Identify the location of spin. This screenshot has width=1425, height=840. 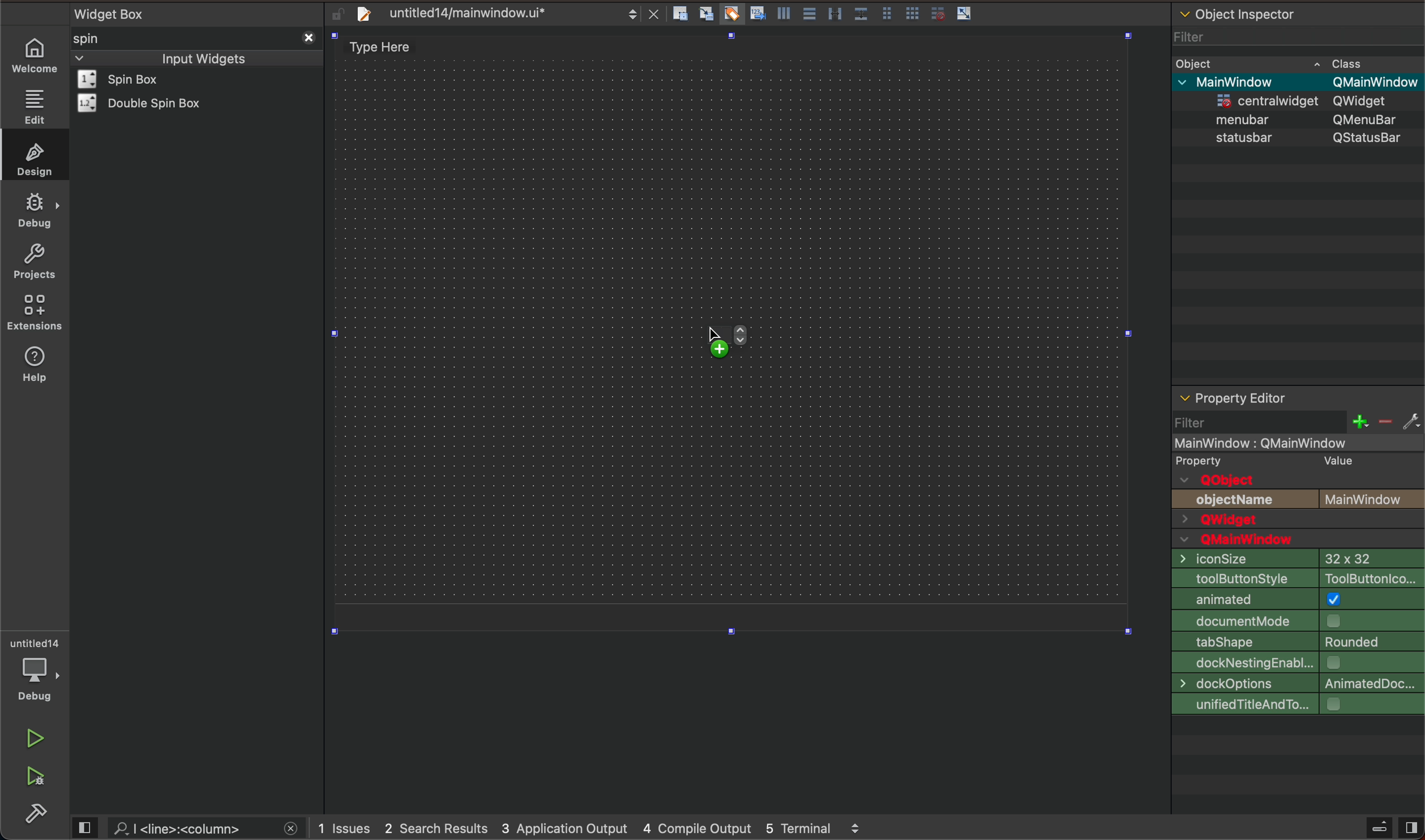
(105, 38).